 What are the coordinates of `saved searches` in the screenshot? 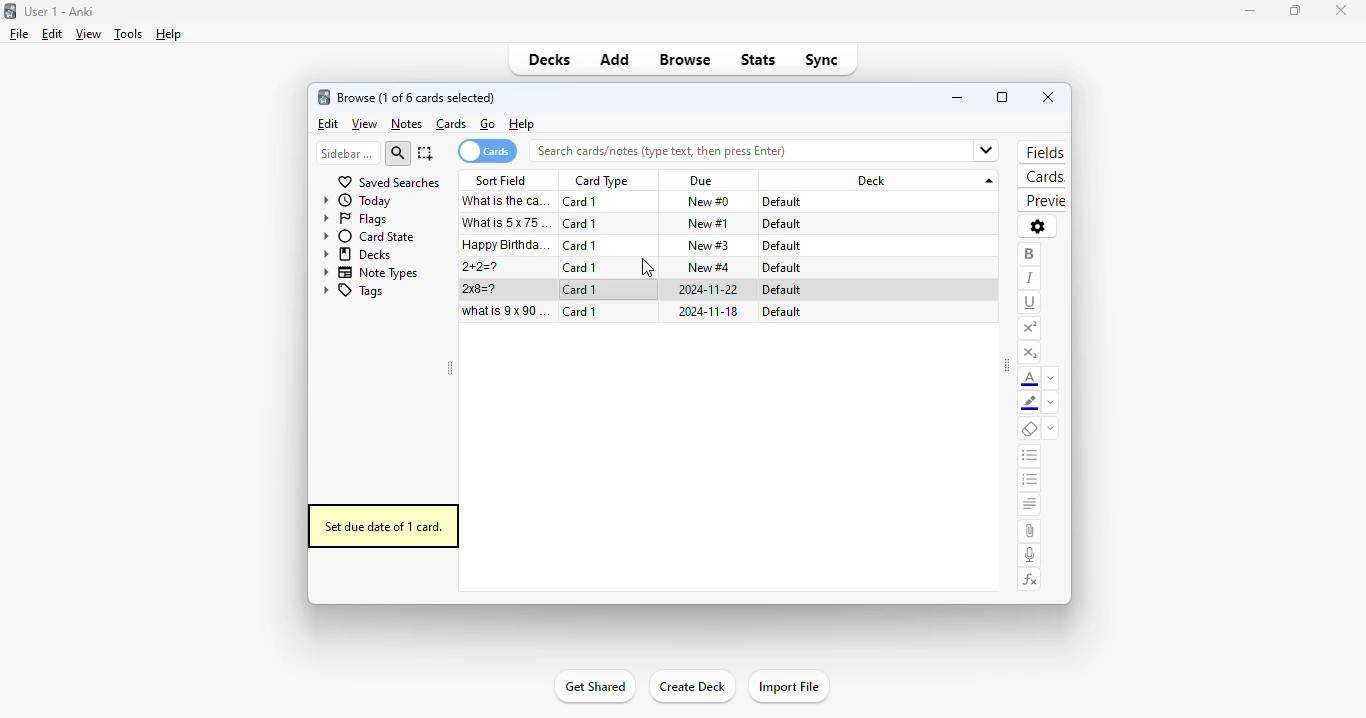 It's located at (388, 182).